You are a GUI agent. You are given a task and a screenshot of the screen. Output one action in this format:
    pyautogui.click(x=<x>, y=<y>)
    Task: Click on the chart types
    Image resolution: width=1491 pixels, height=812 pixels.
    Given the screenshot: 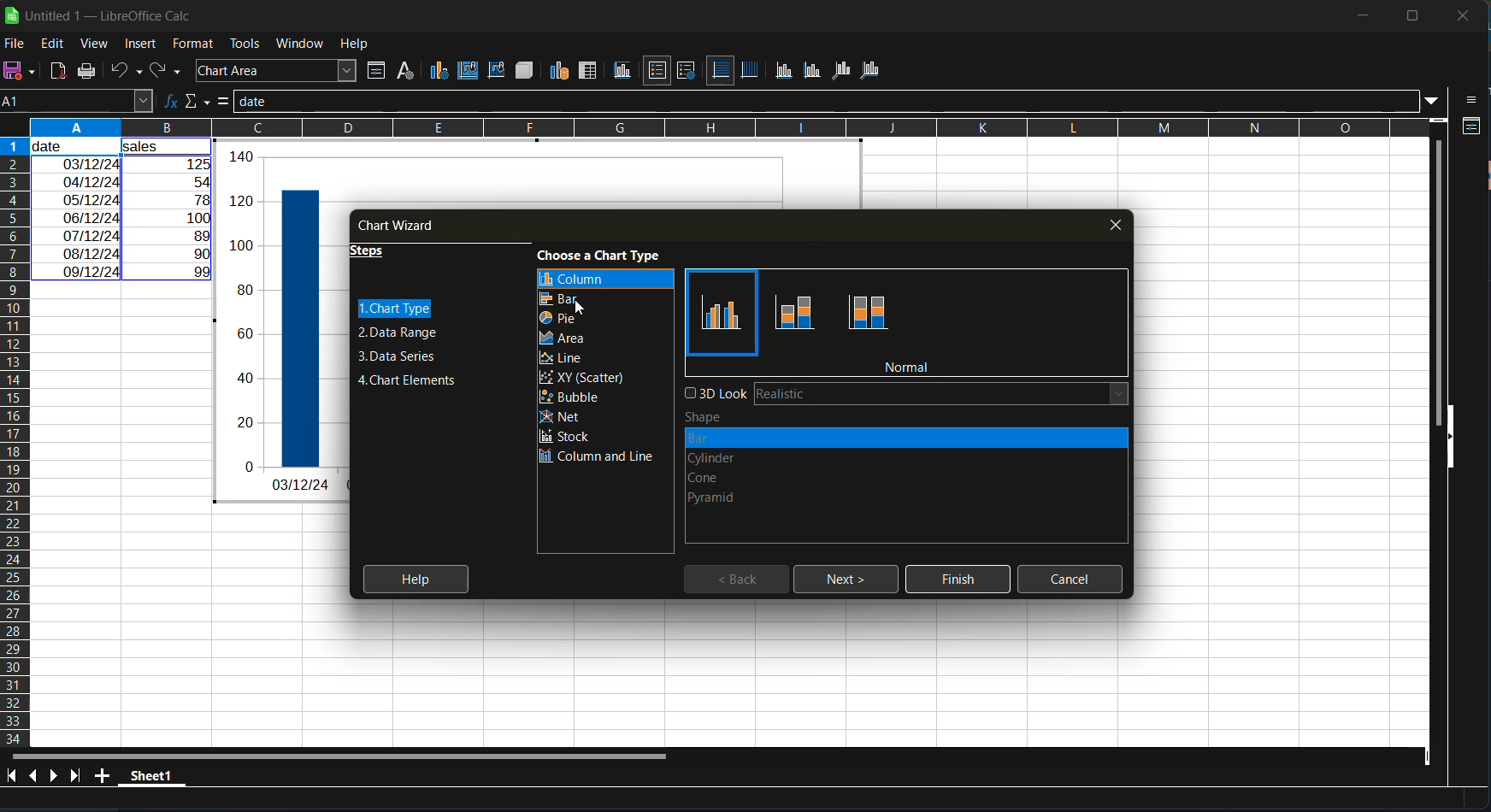 What is the action you would take?
    pyautogui.click(x=606, y=368)
    